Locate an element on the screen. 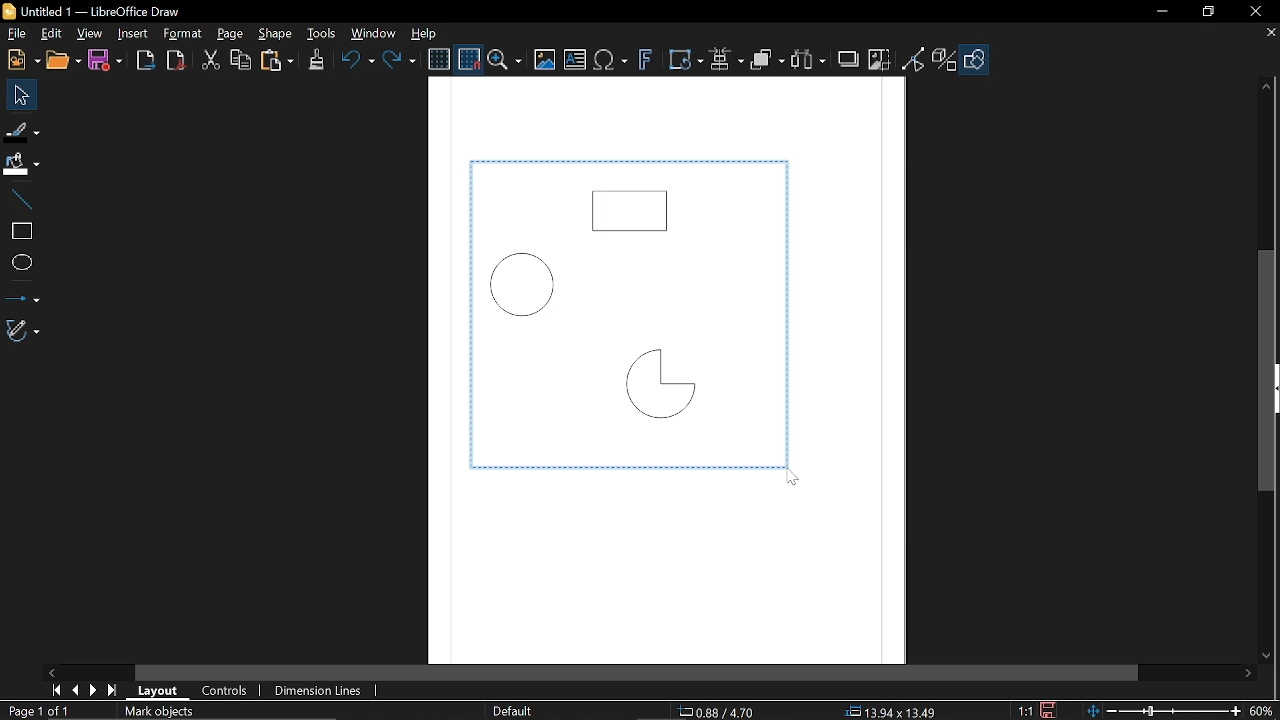  next page is located at coordinates (89, 690).